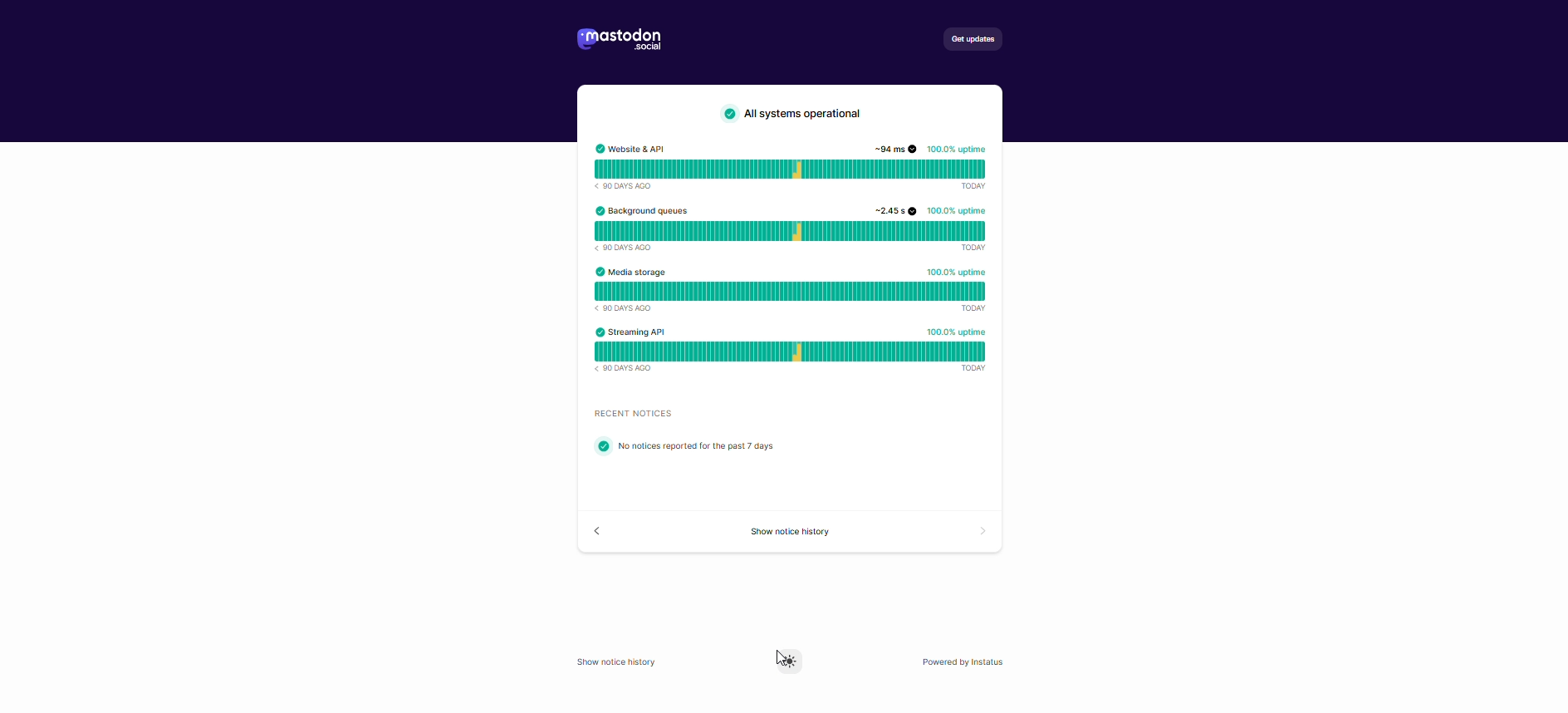 The image size is (1568, 713). Describe the element at coordinates (791, 168) in the screenshot. I see `website & API` at that location.